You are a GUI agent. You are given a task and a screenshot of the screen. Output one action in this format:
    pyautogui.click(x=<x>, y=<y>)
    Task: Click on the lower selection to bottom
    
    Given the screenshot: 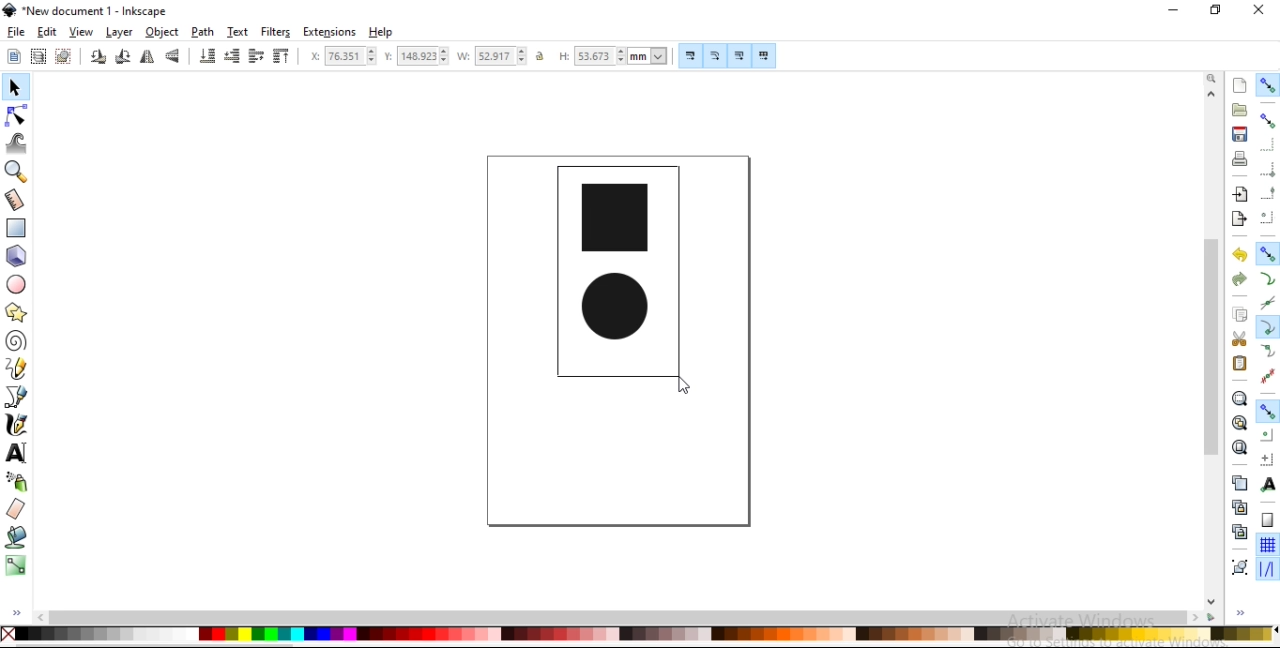 What is the action you would take?
    pyautogui.click(x=207, y=57)
    